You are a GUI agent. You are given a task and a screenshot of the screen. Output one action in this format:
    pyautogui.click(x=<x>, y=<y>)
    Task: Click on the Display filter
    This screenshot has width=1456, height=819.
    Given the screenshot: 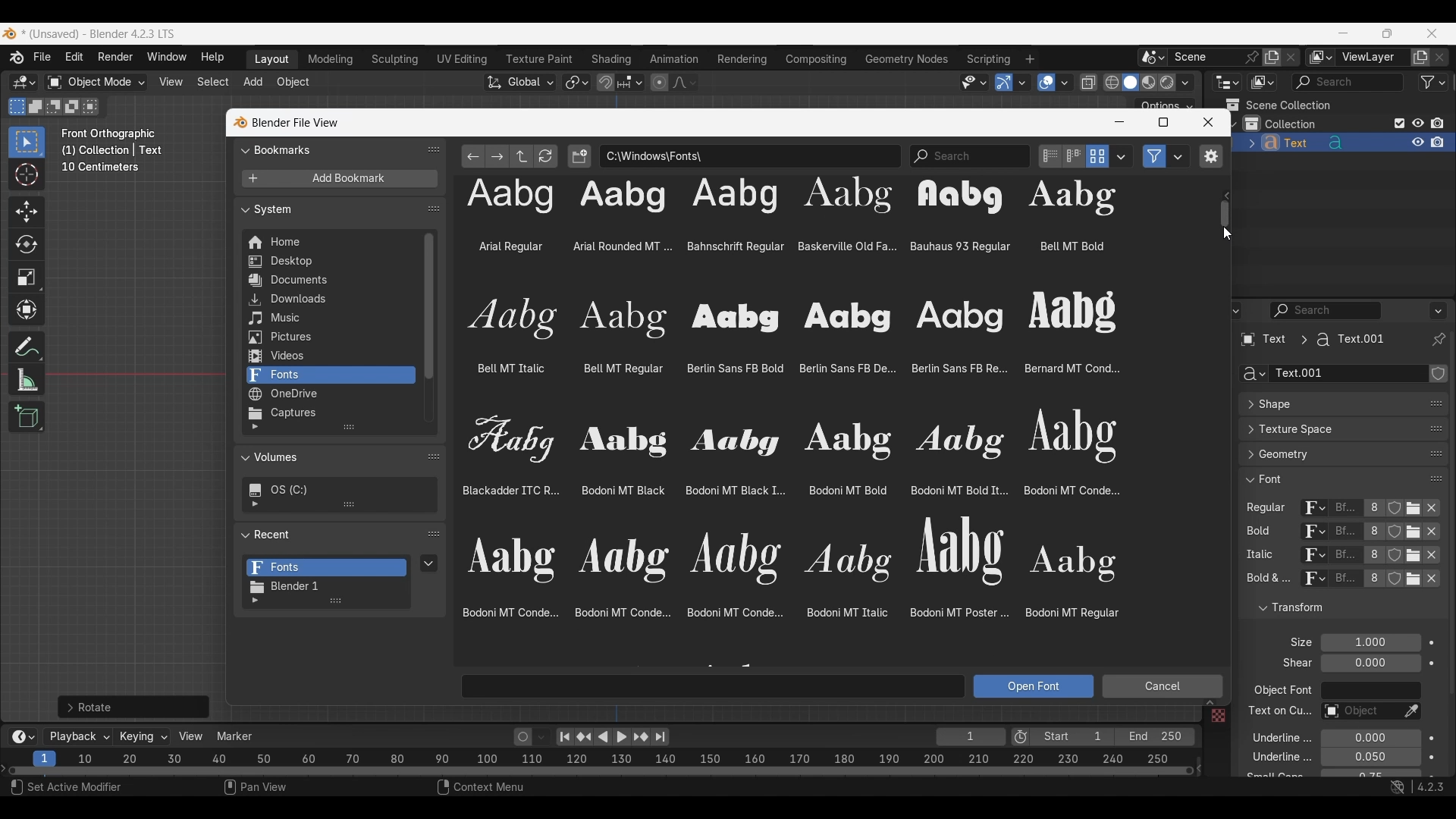 What is the action you would take?
    pyautogui.click(x=1326, y=310)
    